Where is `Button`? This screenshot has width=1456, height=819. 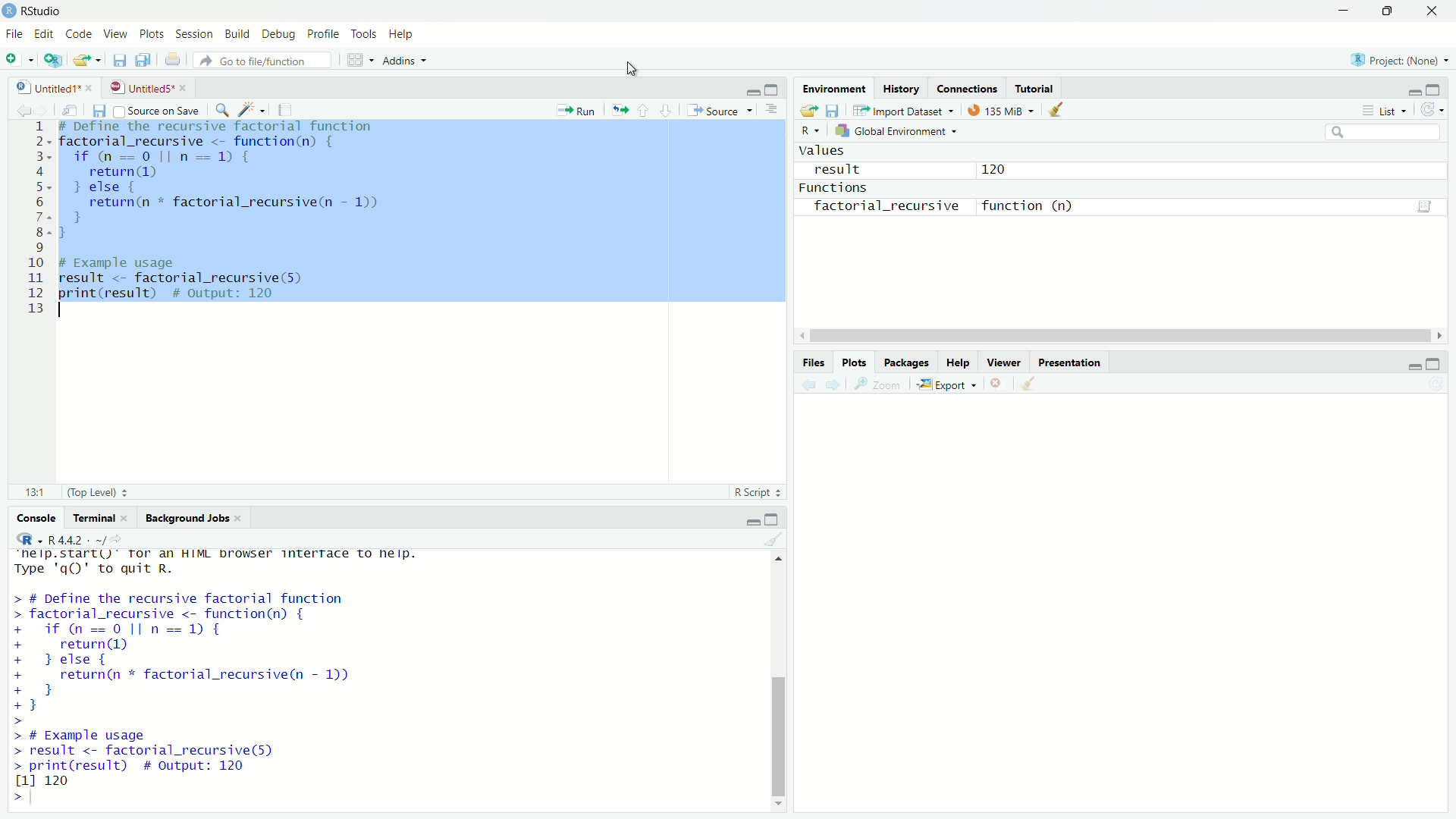
Button is located at coordinates (999, 382).